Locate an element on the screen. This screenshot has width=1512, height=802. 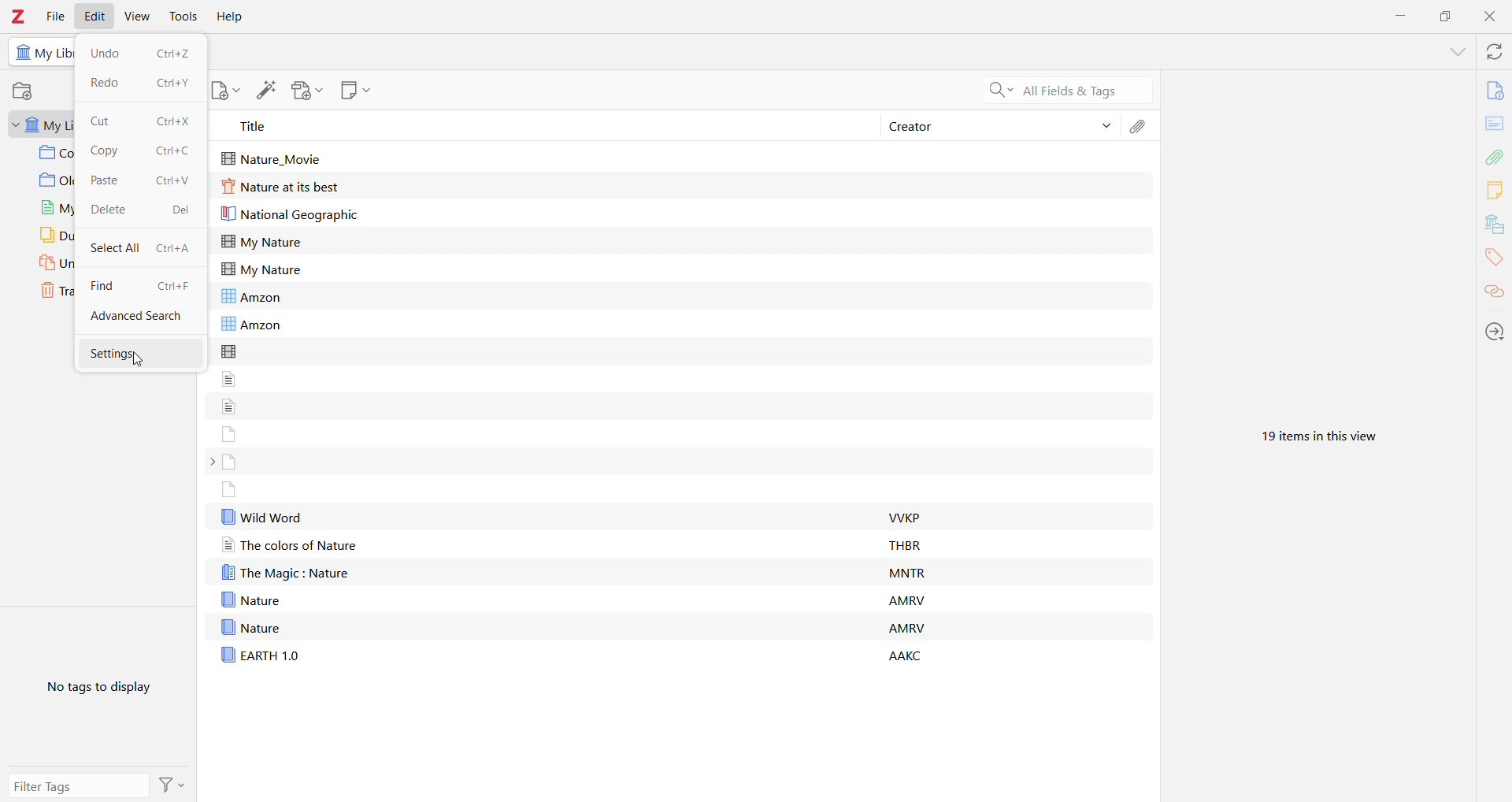
Undo is located at coordinates (109, 51).